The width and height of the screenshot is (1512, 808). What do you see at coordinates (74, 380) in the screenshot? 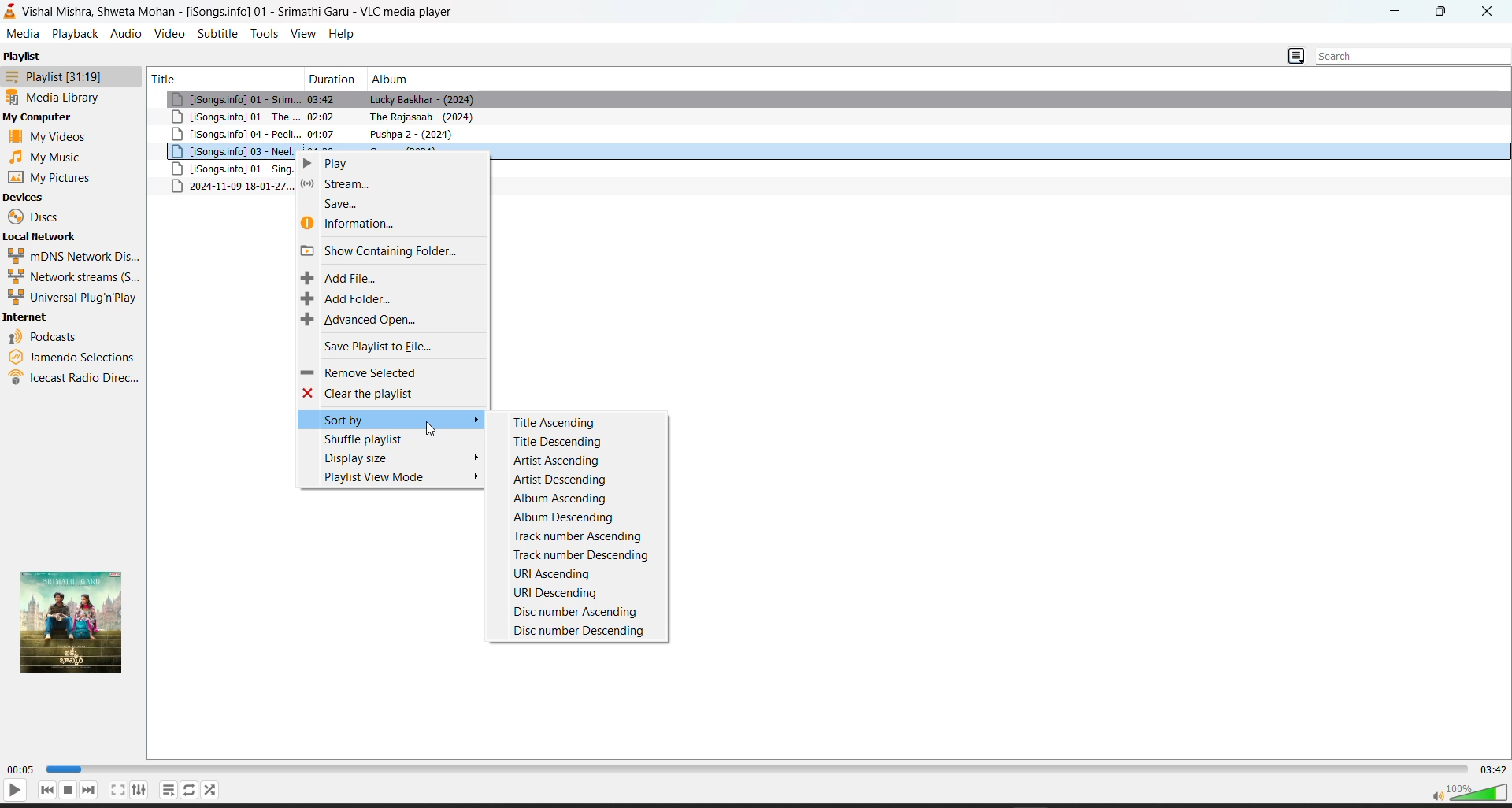
I see `icecast` at bounding box center [74, 380].